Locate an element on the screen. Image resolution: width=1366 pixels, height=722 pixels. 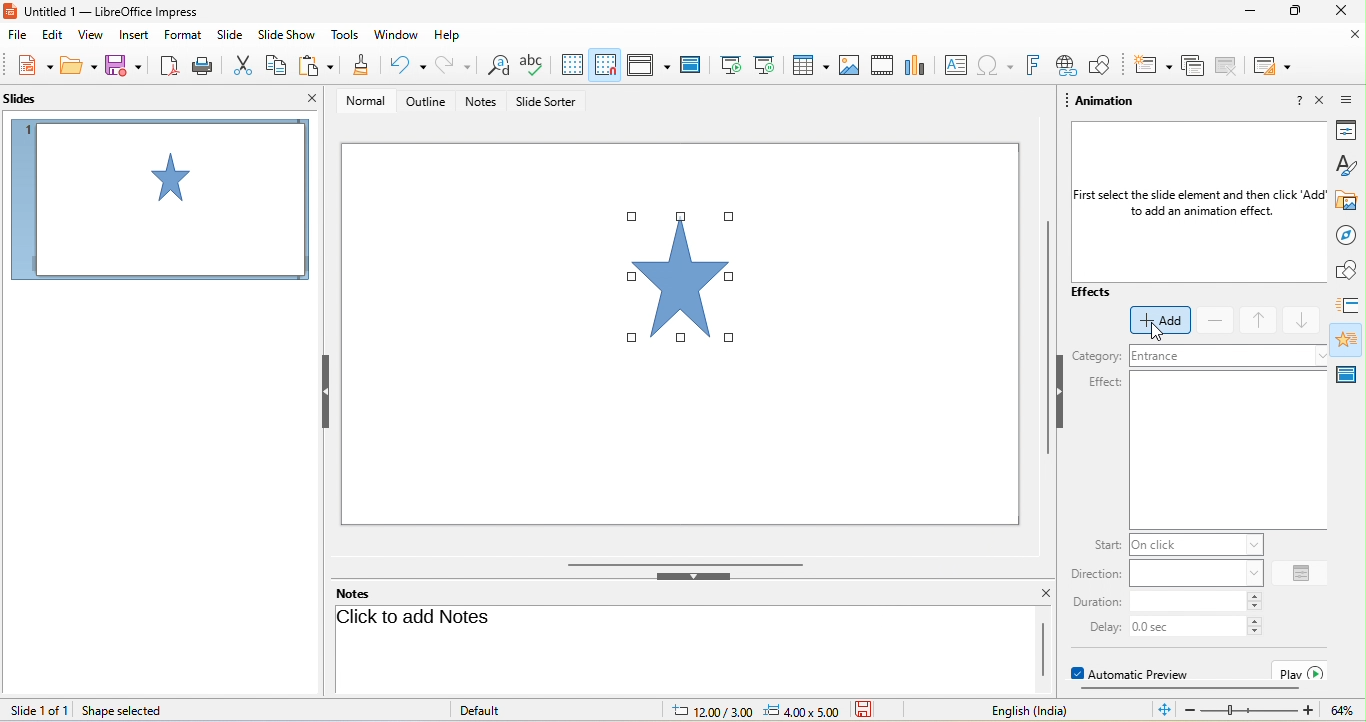
automatic preview is located at coordinates (1135, 673).